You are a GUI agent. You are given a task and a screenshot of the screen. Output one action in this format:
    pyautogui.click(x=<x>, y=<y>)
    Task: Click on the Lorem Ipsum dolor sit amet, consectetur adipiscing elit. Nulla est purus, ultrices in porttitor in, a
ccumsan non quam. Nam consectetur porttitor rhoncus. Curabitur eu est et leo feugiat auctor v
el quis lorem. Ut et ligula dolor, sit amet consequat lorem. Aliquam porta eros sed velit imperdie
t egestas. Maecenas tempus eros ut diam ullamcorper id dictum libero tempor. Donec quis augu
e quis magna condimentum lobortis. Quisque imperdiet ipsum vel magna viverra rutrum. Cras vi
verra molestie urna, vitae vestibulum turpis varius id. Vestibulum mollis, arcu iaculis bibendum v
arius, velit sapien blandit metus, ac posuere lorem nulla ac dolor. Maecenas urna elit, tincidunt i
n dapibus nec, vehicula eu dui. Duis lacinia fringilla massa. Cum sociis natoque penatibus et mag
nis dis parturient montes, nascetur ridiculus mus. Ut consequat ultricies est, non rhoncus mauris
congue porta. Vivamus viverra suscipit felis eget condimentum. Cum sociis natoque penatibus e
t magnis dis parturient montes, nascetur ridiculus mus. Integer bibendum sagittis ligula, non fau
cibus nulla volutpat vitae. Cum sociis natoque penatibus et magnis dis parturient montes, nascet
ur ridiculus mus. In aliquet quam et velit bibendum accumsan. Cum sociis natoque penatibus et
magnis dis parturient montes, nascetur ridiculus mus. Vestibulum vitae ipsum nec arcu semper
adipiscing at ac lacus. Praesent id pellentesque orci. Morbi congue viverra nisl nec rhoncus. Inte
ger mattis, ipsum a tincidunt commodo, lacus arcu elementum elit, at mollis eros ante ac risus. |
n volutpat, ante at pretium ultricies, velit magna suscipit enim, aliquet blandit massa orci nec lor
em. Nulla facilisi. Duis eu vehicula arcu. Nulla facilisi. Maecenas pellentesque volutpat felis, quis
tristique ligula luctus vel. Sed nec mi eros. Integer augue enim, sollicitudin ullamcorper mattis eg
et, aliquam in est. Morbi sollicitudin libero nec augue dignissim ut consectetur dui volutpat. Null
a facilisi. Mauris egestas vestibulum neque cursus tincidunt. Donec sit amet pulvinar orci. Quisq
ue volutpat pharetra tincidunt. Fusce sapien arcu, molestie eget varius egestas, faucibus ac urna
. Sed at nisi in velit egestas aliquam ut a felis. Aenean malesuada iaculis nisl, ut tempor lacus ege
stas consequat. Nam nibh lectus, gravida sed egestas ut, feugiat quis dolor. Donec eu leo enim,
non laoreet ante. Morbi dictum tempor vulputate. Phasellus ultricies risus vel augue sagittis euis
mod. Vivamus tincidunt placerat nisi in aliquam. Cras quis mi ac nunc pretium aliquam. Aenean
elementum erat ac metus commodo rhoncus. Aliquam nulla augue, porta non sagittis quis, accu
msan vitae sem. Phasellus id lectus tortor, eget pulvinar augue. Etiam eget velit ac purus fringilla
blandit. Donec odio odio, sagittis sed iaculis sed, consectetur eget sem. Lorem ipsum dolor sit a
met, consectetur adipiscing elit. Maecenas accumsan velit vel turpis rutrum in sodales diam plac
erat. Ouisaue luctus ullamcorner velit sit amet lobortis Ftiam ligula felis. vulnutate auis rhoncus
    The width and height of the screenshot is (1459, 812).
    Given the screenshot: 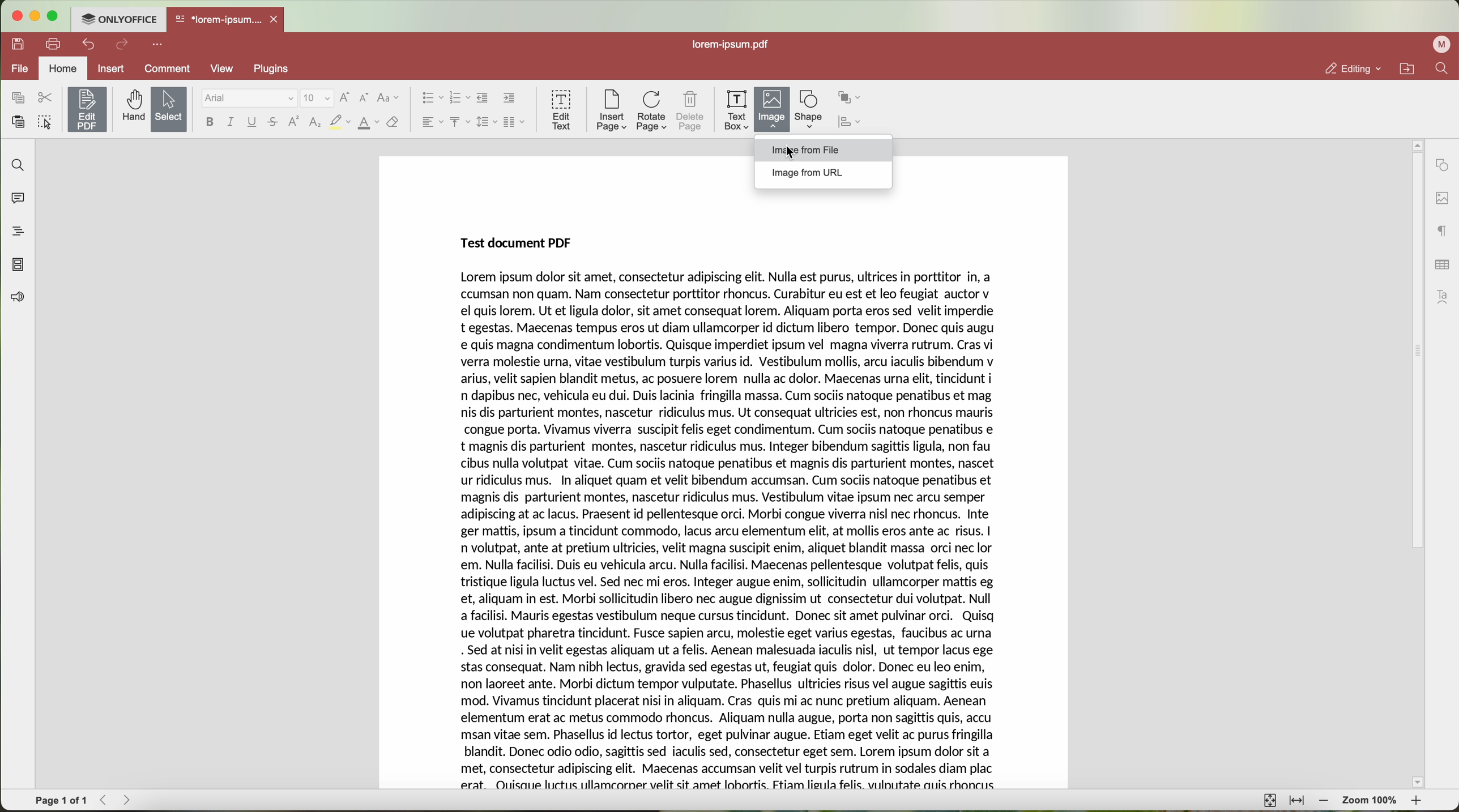 What is the action you would take?
    pyautogui.click(x=732, y=532)
    